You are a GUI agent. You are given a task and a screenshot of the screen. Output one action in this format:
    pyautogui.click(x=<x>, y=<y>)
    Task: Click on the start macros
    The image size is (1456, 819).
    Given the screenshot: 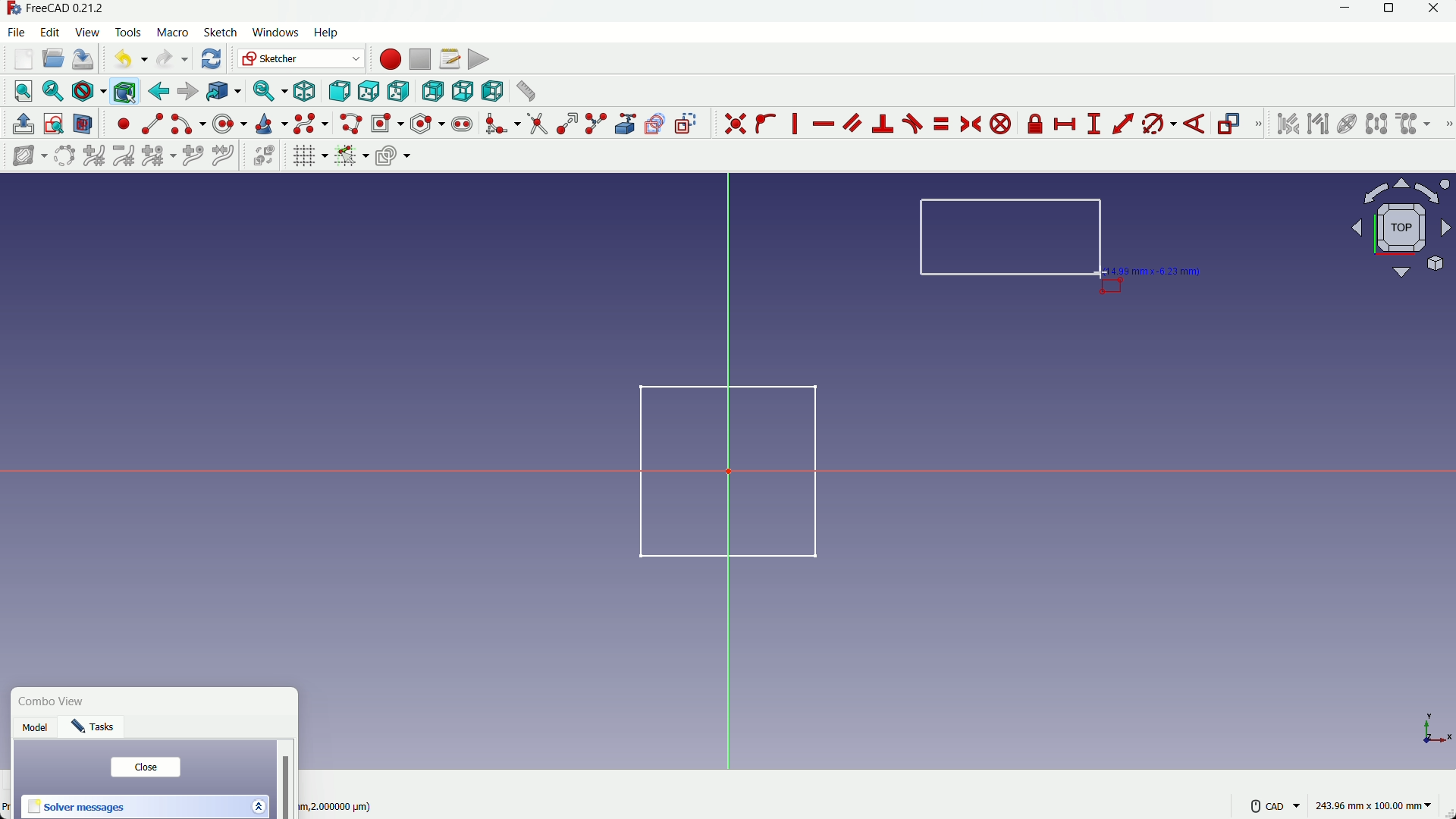 What is the action you would take?
    pyautogui.click(x=389, y=59)
    